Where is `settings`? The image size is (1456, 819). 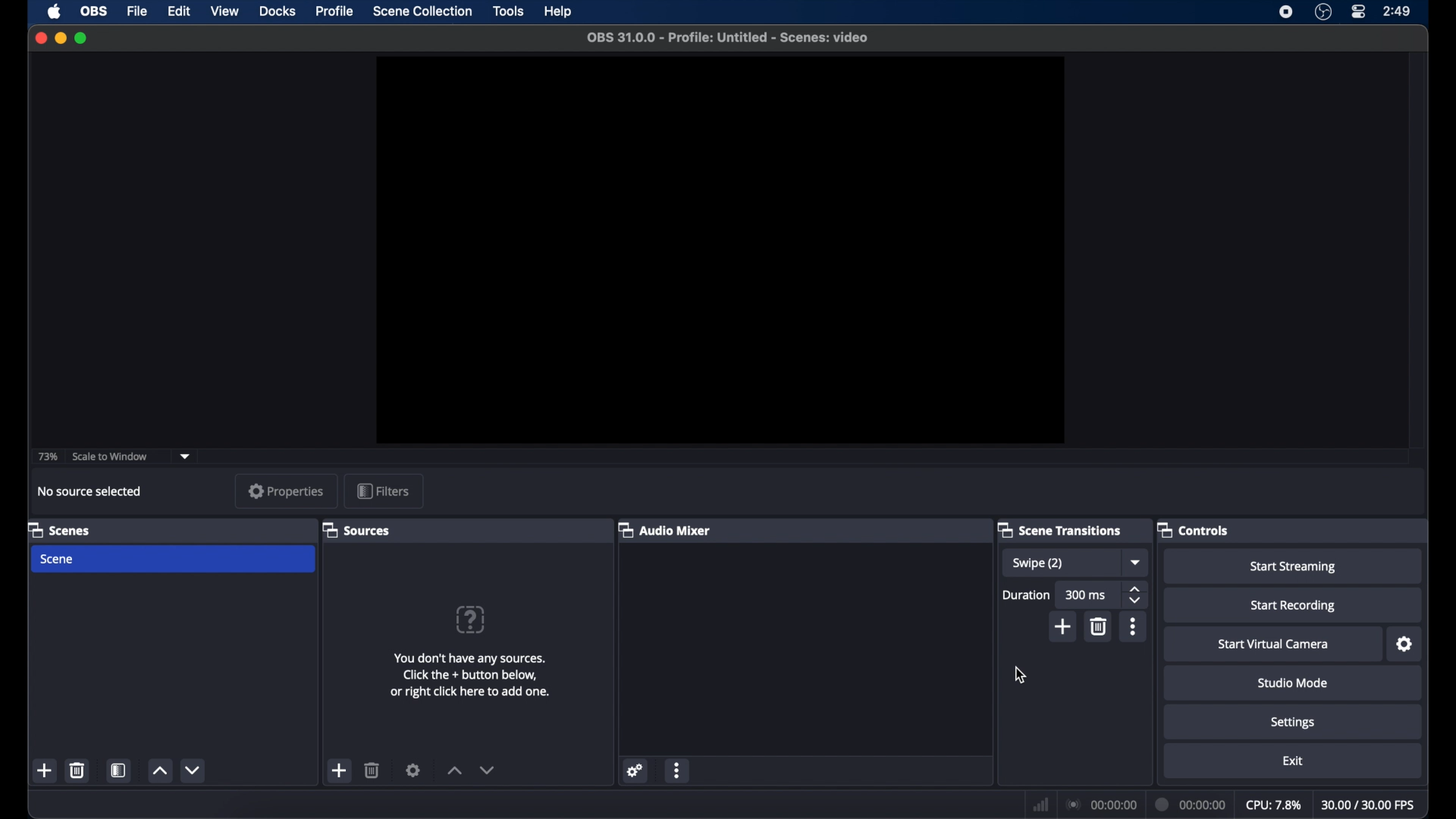
settings is located at coordinates (1294, 723).